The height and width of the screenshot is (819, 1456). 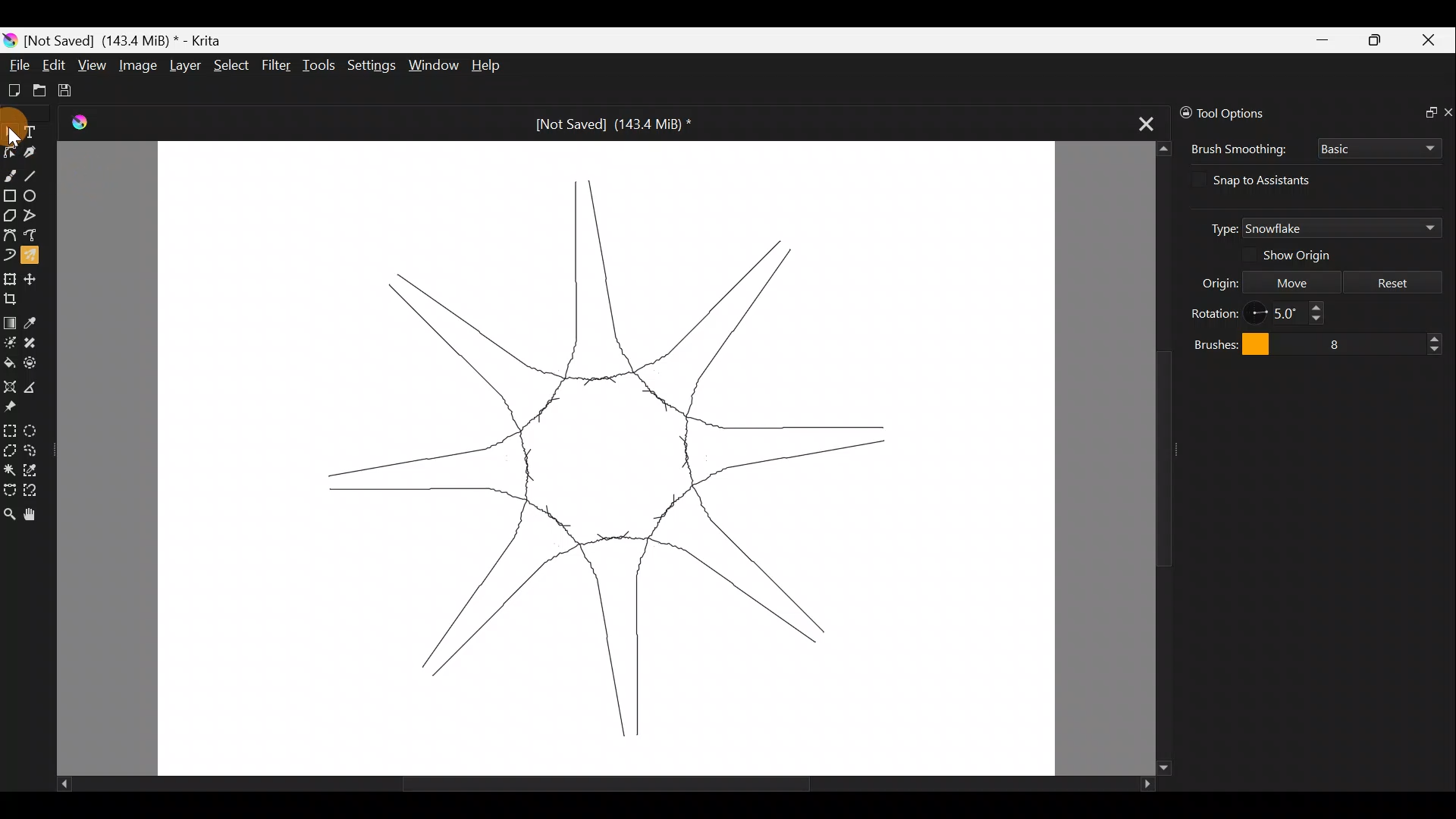 I want to click on Reference images tool, so click(x=21, y=406).